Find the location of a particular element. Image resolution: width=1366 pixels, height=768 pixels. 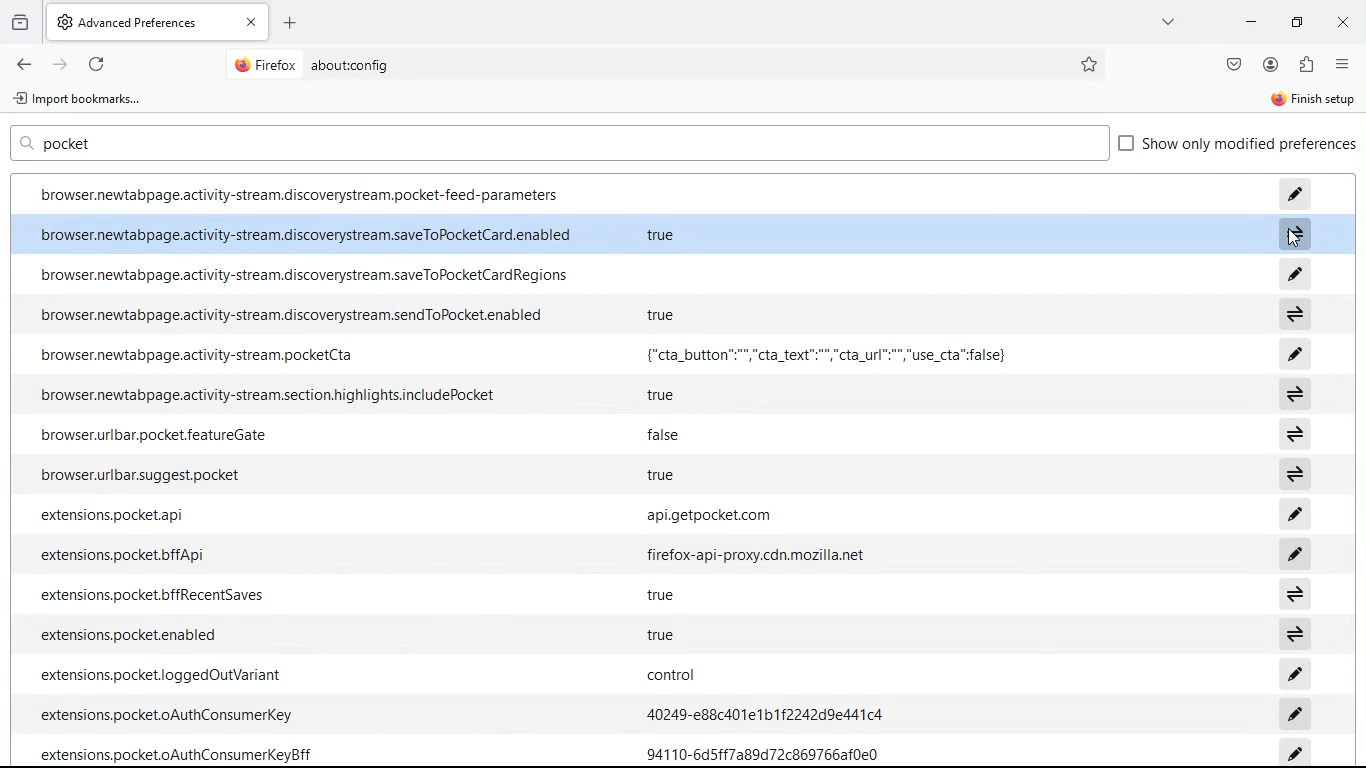

edit is located at coordinates (1293, 673).